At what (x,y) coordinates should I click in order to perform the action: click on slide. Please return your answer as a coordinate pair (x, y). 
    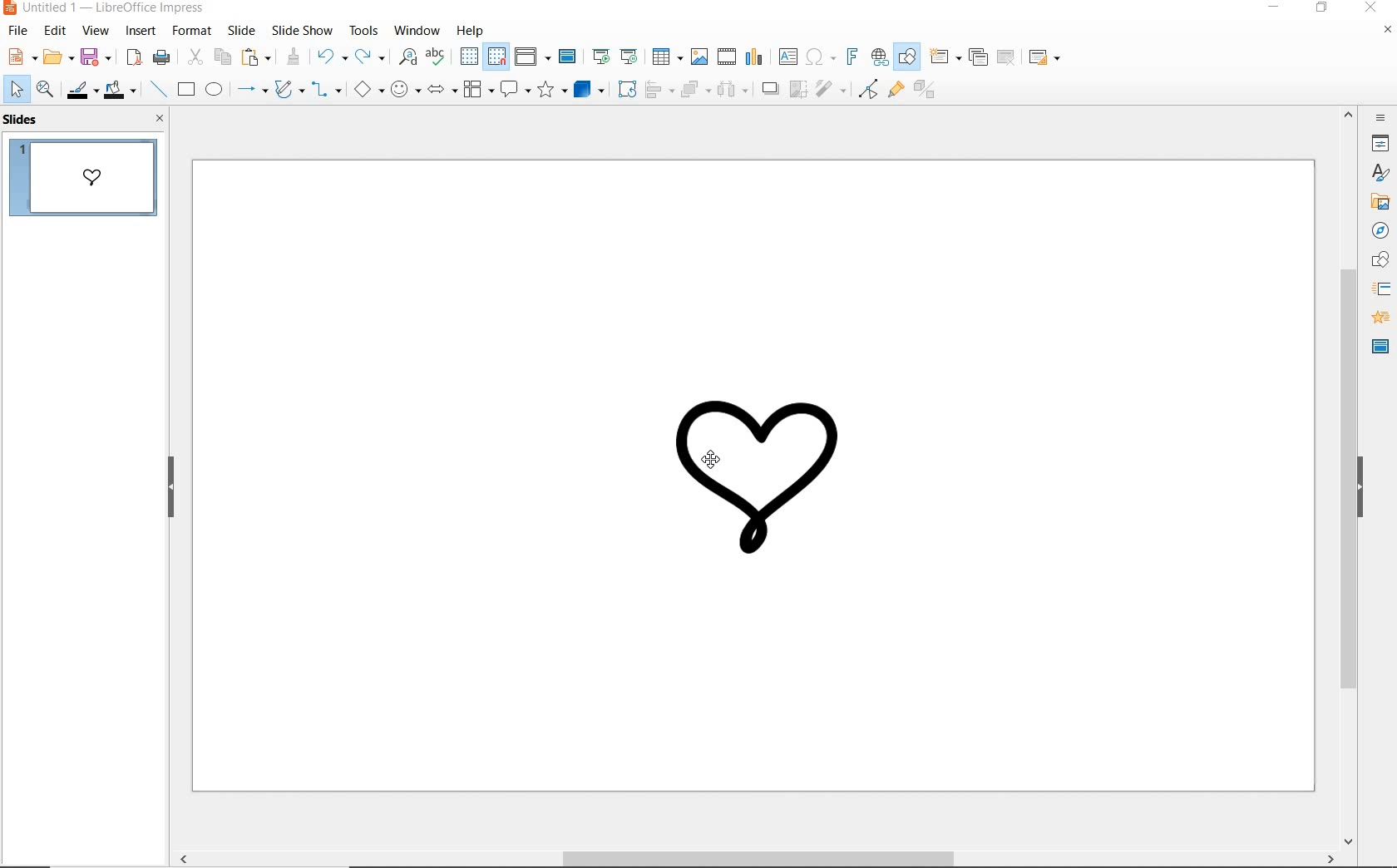
    Looking at the image, I should click on (241, 30).